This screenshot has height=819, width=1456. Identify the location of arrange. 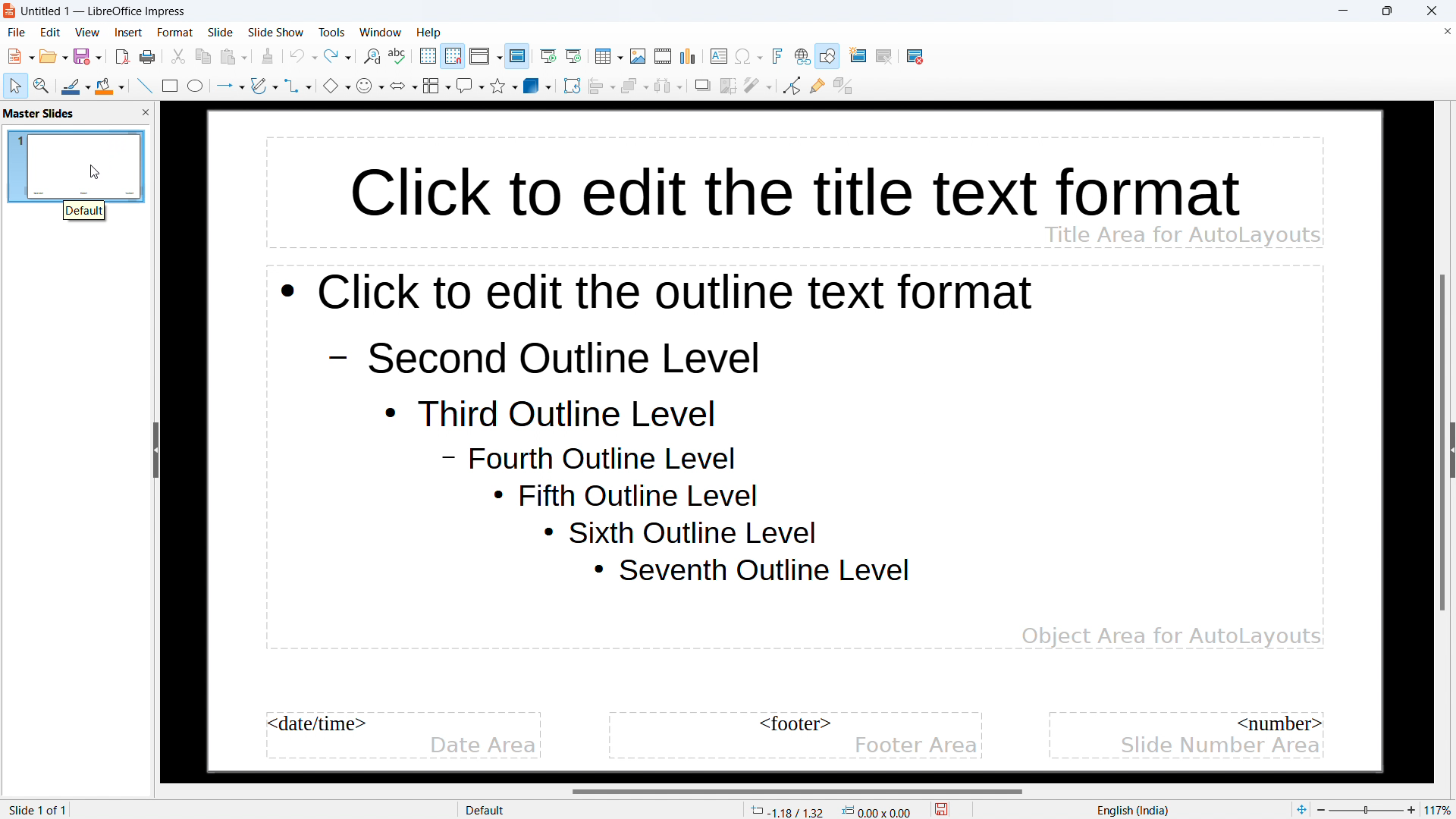
(634, 86).